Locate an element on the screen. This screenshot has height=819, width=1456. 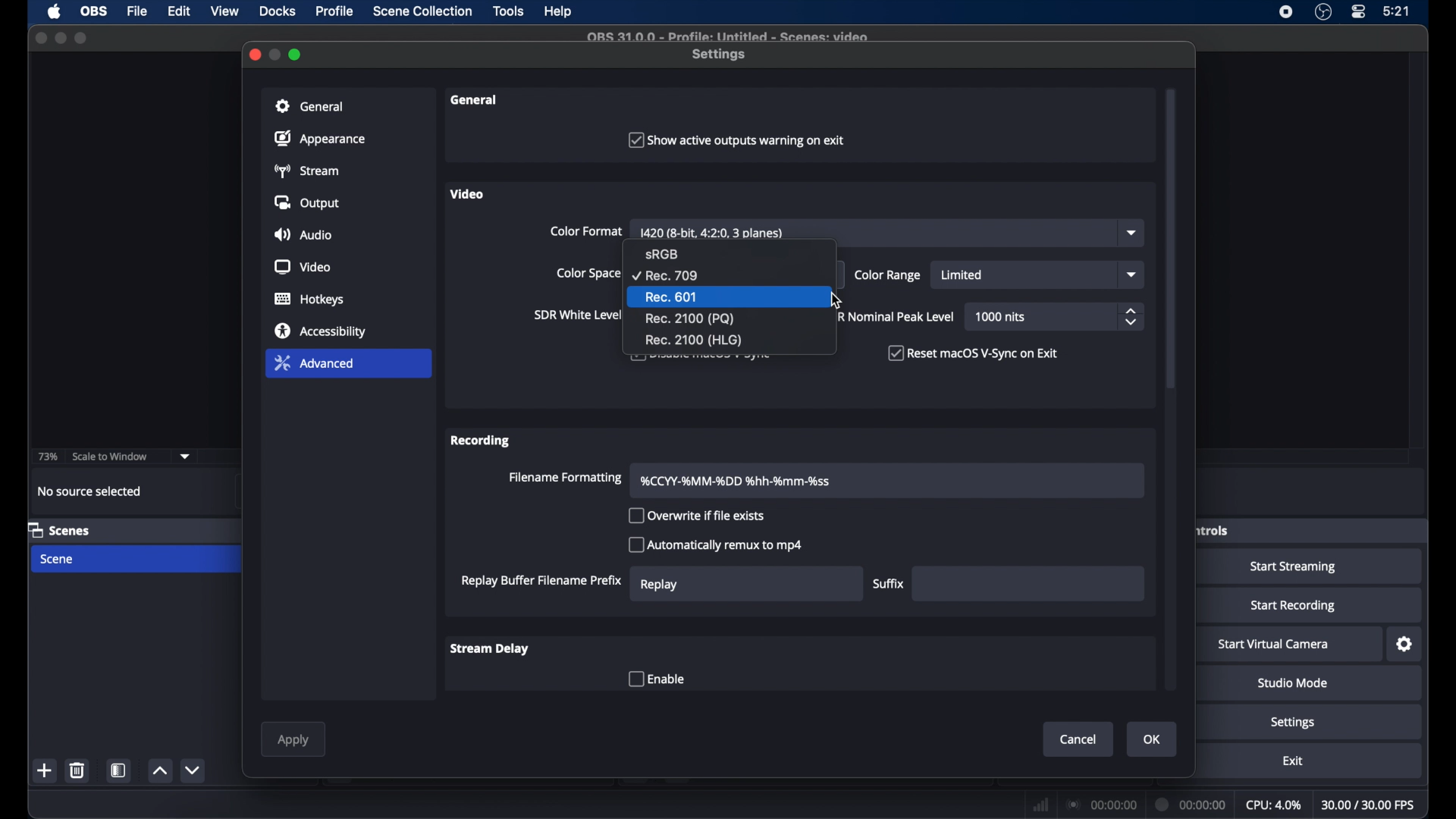
scale to window is located at coordinates (111, 457).